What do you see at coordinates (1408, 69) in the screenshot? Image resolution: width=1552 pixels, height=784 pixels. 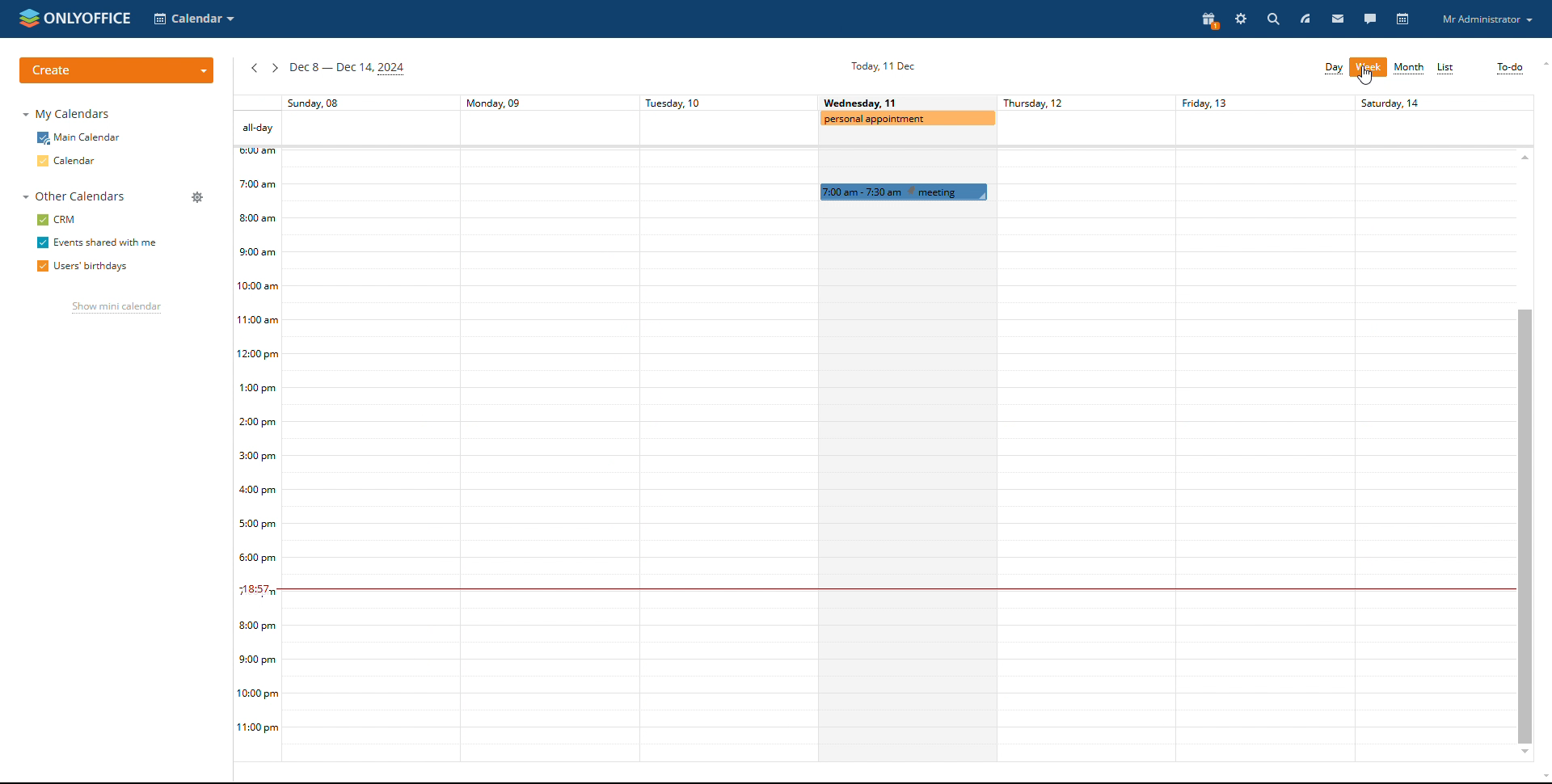 I see `month view` at bounding box center [1408, 69].